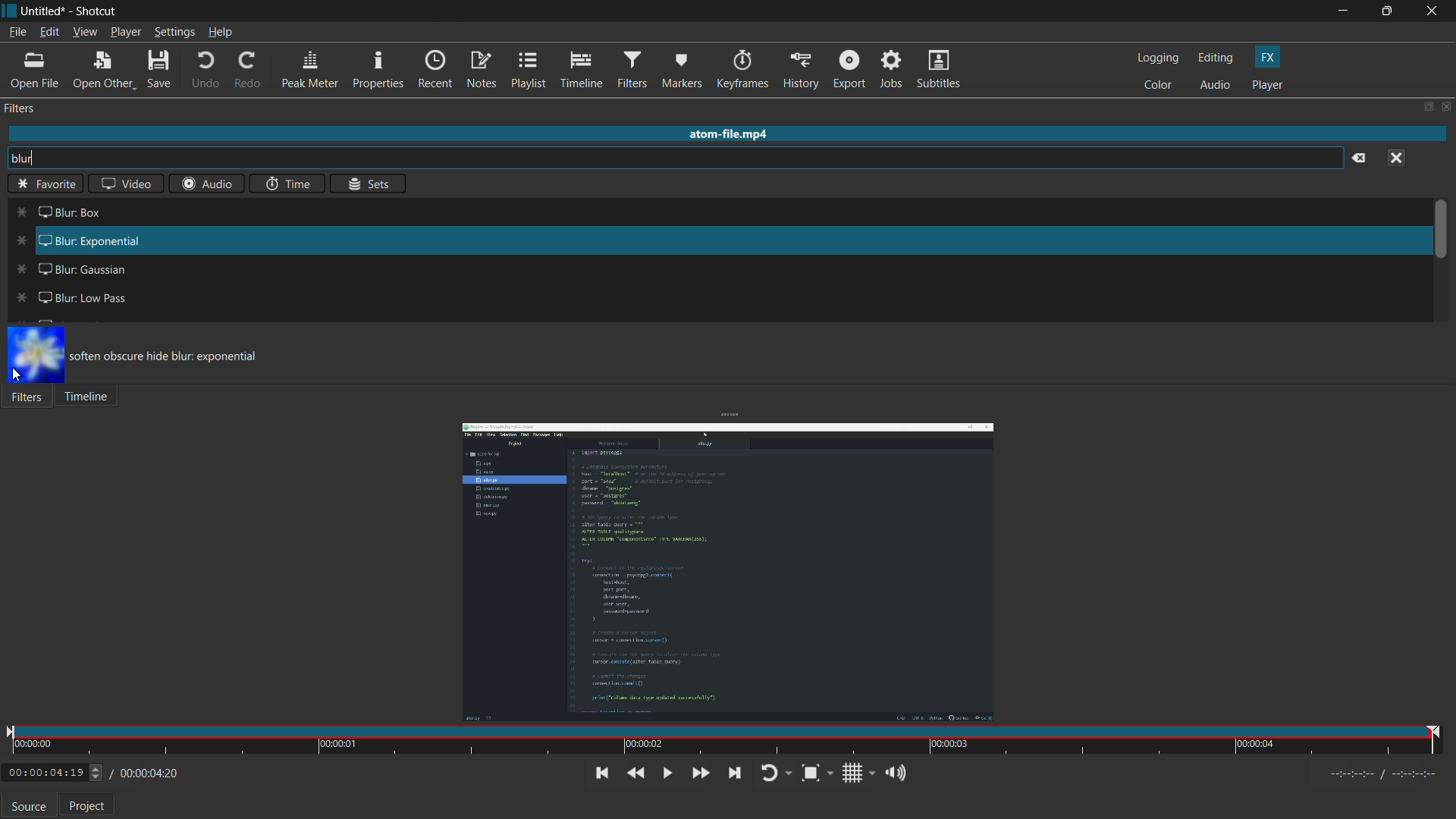  What do you see at coordinates (90, 398) in the screenshot?
I see `Timeline` at bounding box center [90, 398].